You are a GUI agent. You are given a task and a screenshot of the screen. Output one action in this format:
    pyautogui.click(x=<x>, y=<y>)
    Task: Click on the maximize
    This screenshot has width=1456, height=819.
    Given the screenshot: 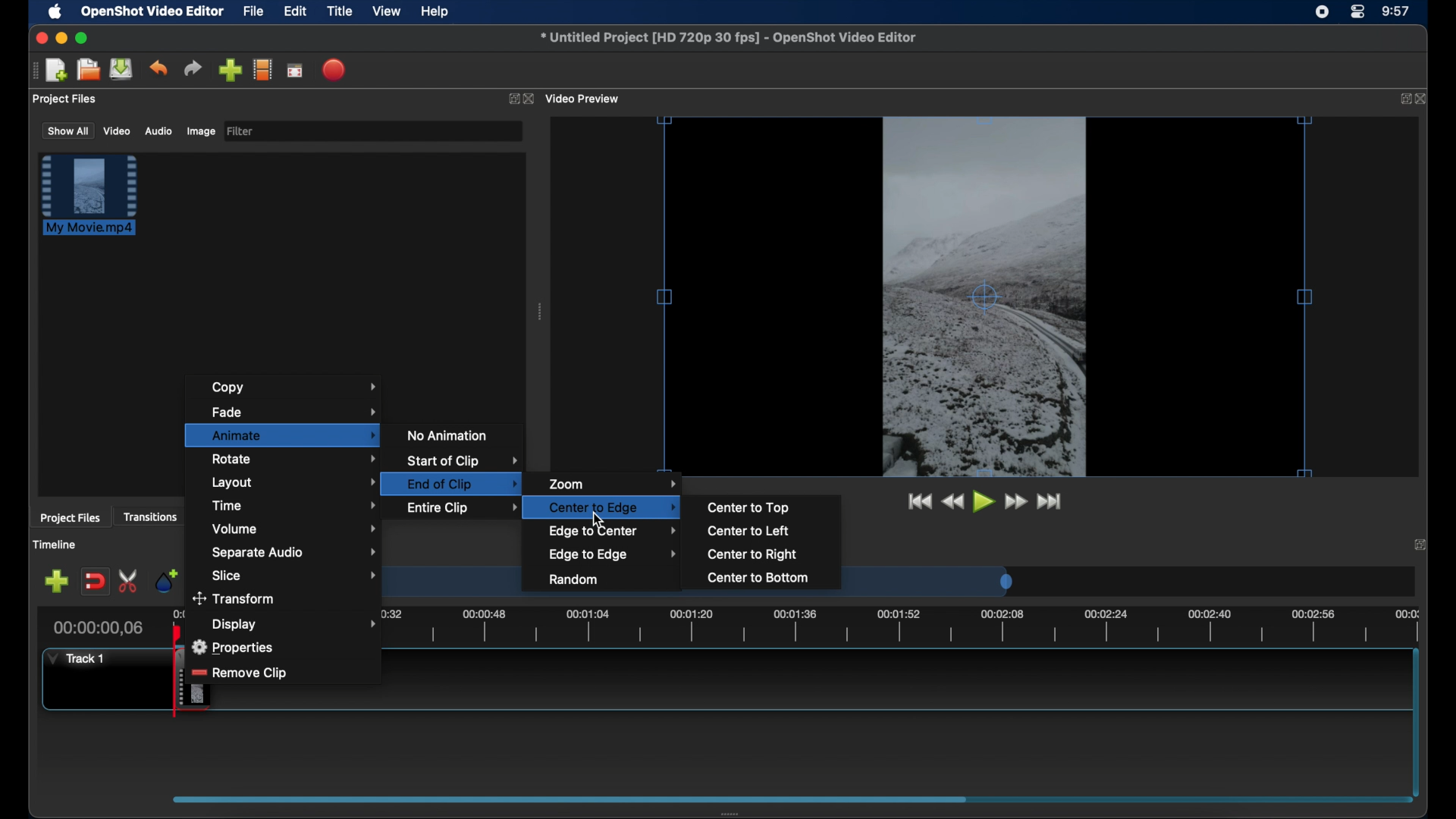 What is the action you would take?
    pyautogui.click(x=82, y=38)
    